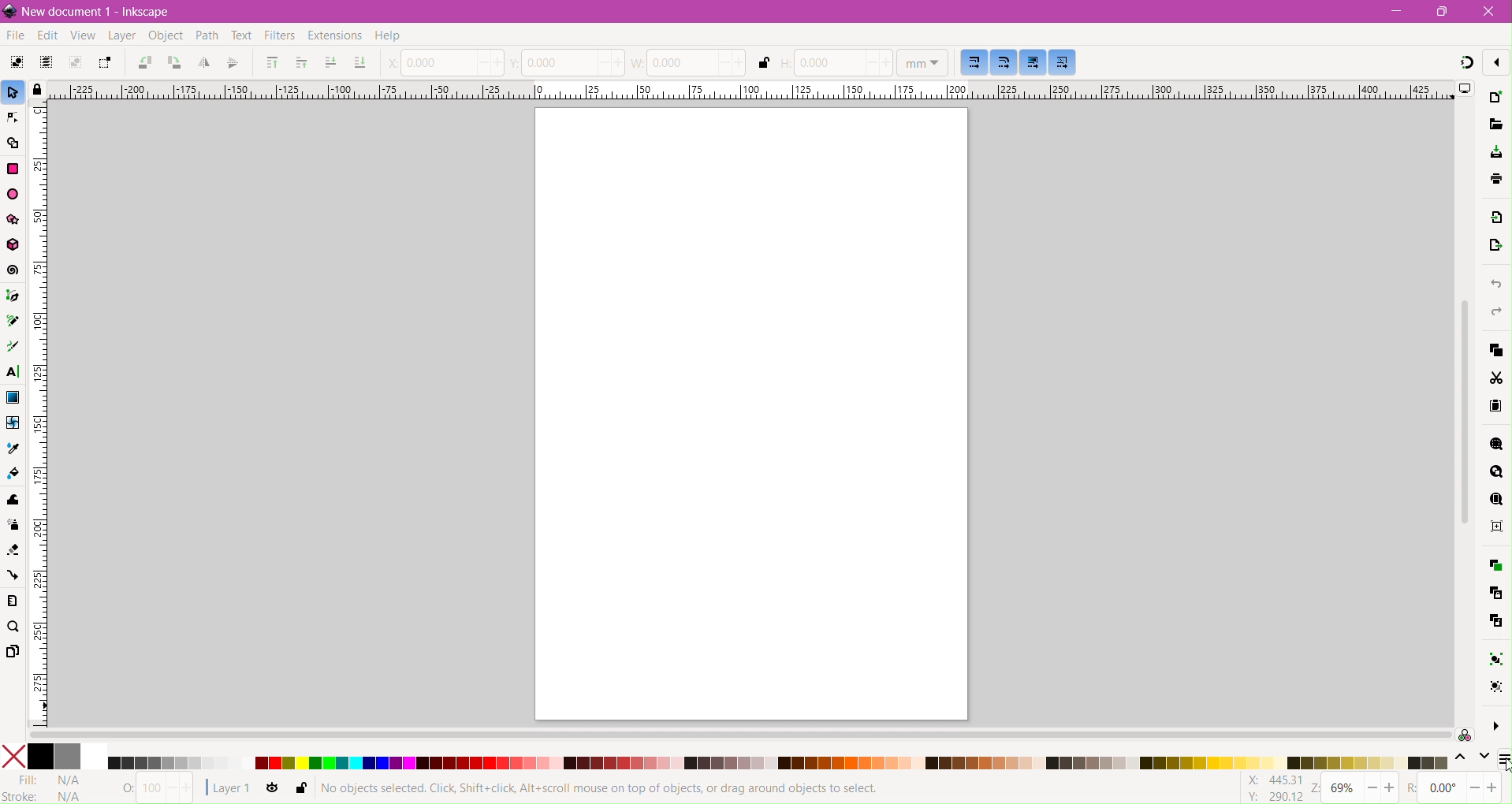 Image resolution: width=1512 pixels, height=804 pixels. Describe the element at coordinates (13, 525) in the screenshot. I see `Spray Tool` at that location.